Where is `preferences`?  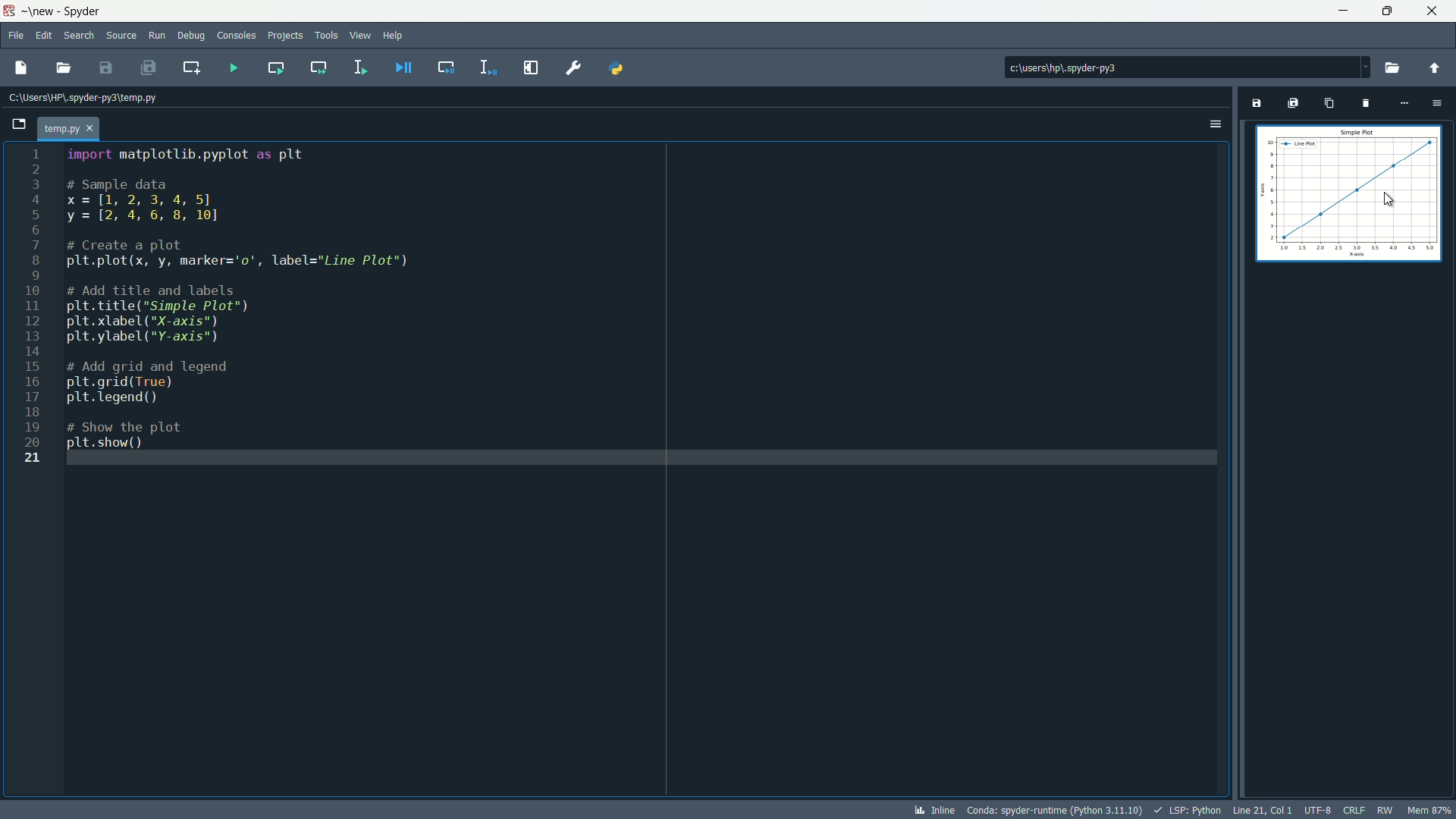 preferences is located at coordinates (573, 67).